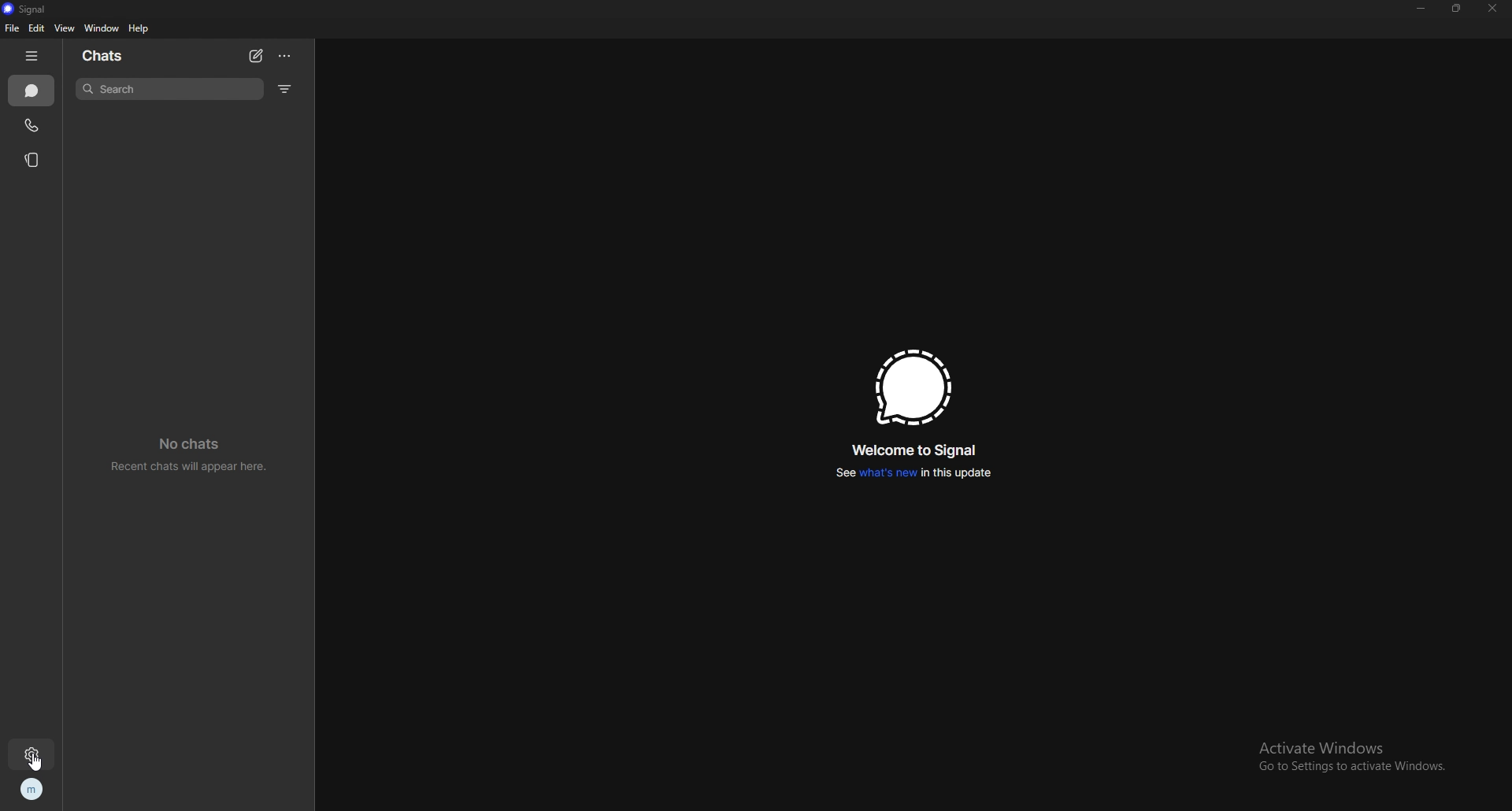 The image size is (1512, 811). Describe the element at coordinates (102, 28) in the screenshot. I see `window` at that location.